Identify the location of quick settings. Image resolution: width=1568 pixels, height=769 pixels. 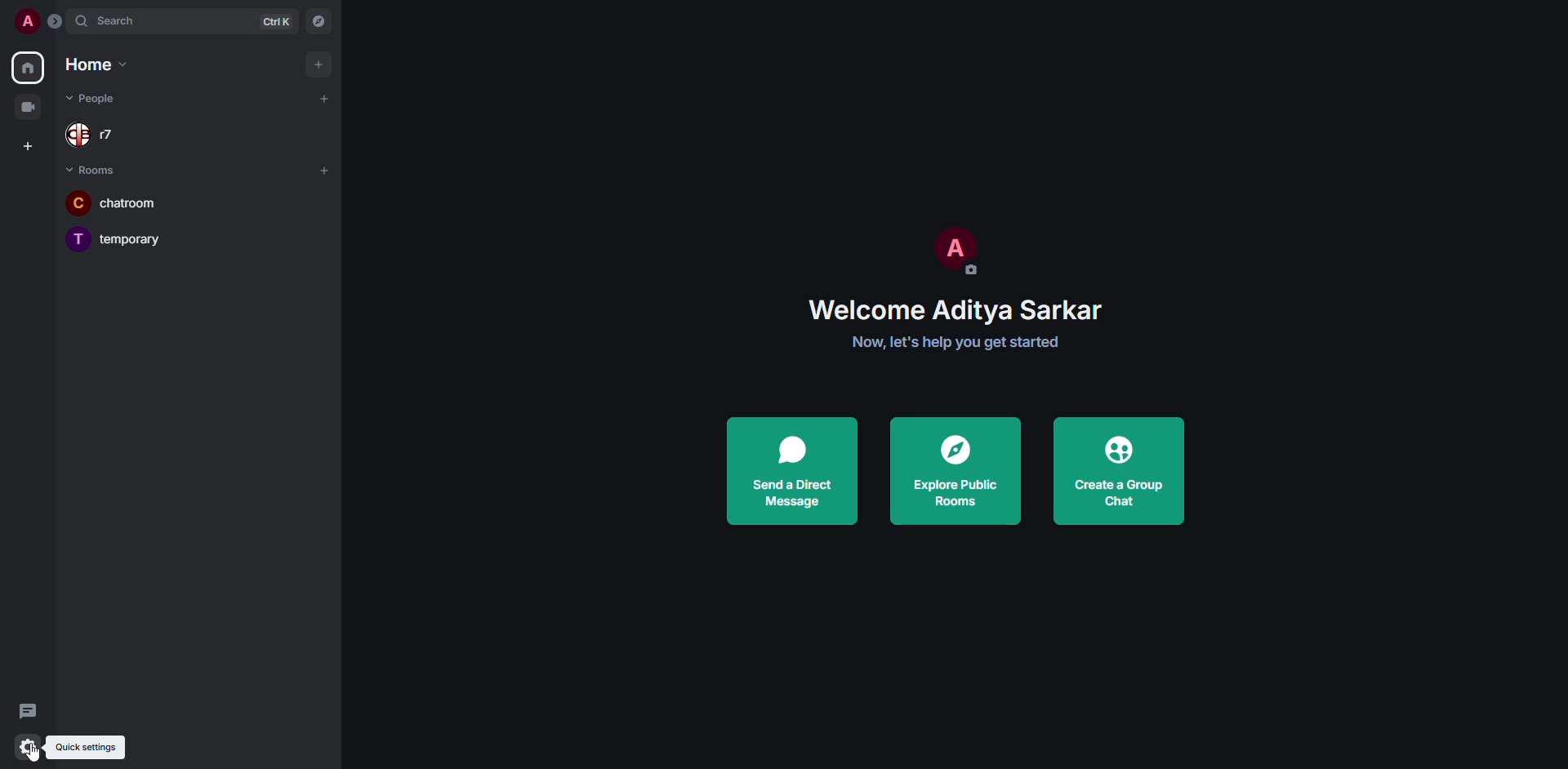
(31, 748).